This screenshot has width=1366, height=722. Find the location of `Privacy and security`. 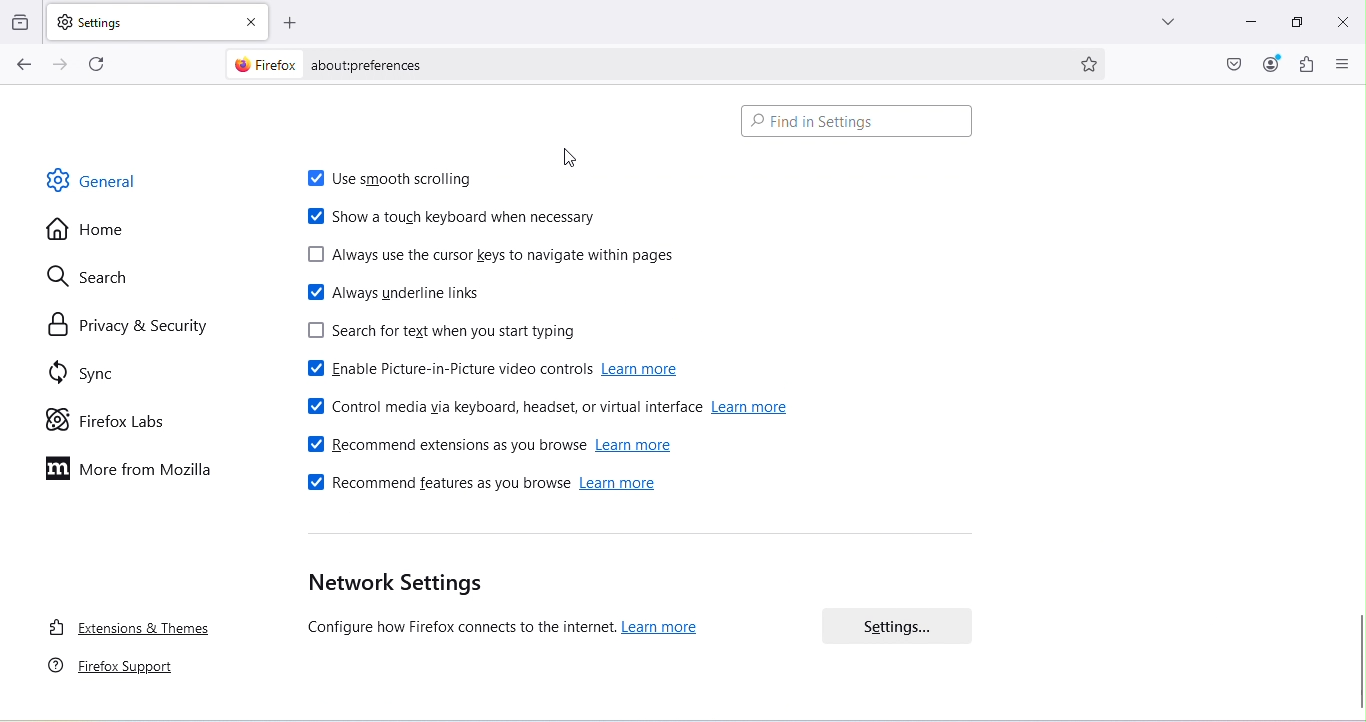

Privacy and security is located at coordinates (127, 325).